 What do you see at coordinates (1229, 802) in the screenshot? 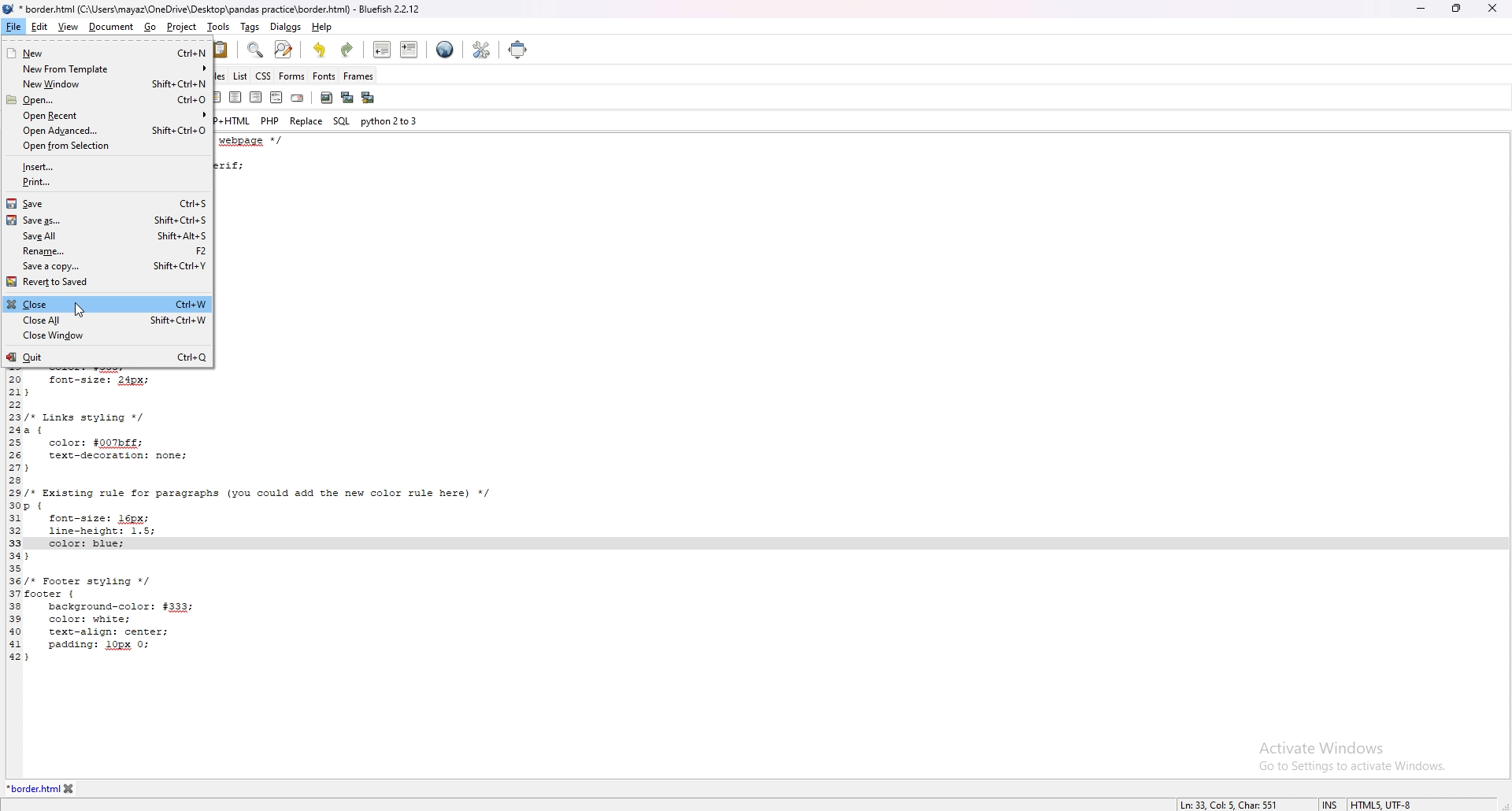
I see `description` at bounding box center [1229, 802].